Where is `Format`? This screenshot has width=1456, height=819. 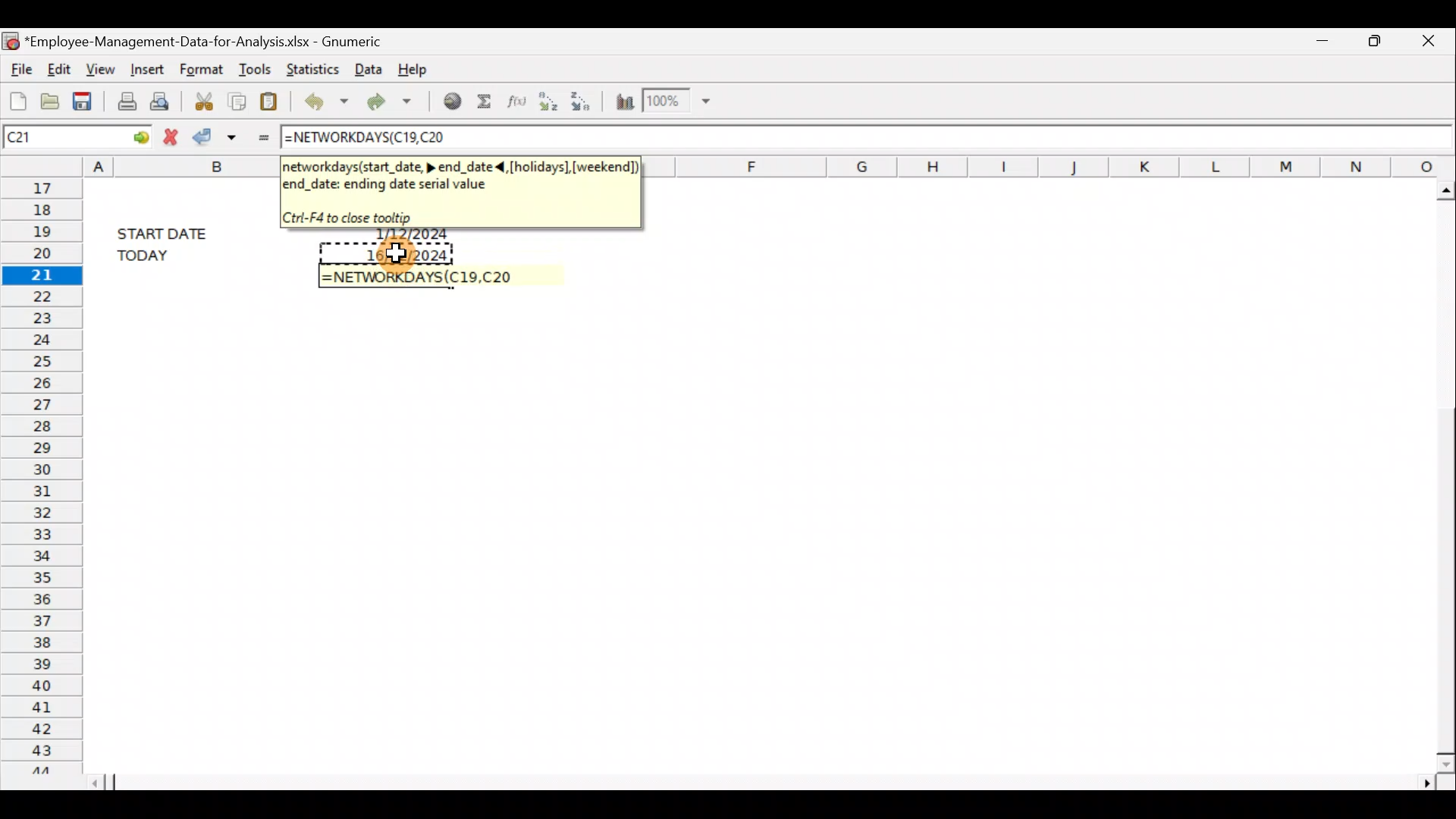 Format is located at coordinates (203, 67).